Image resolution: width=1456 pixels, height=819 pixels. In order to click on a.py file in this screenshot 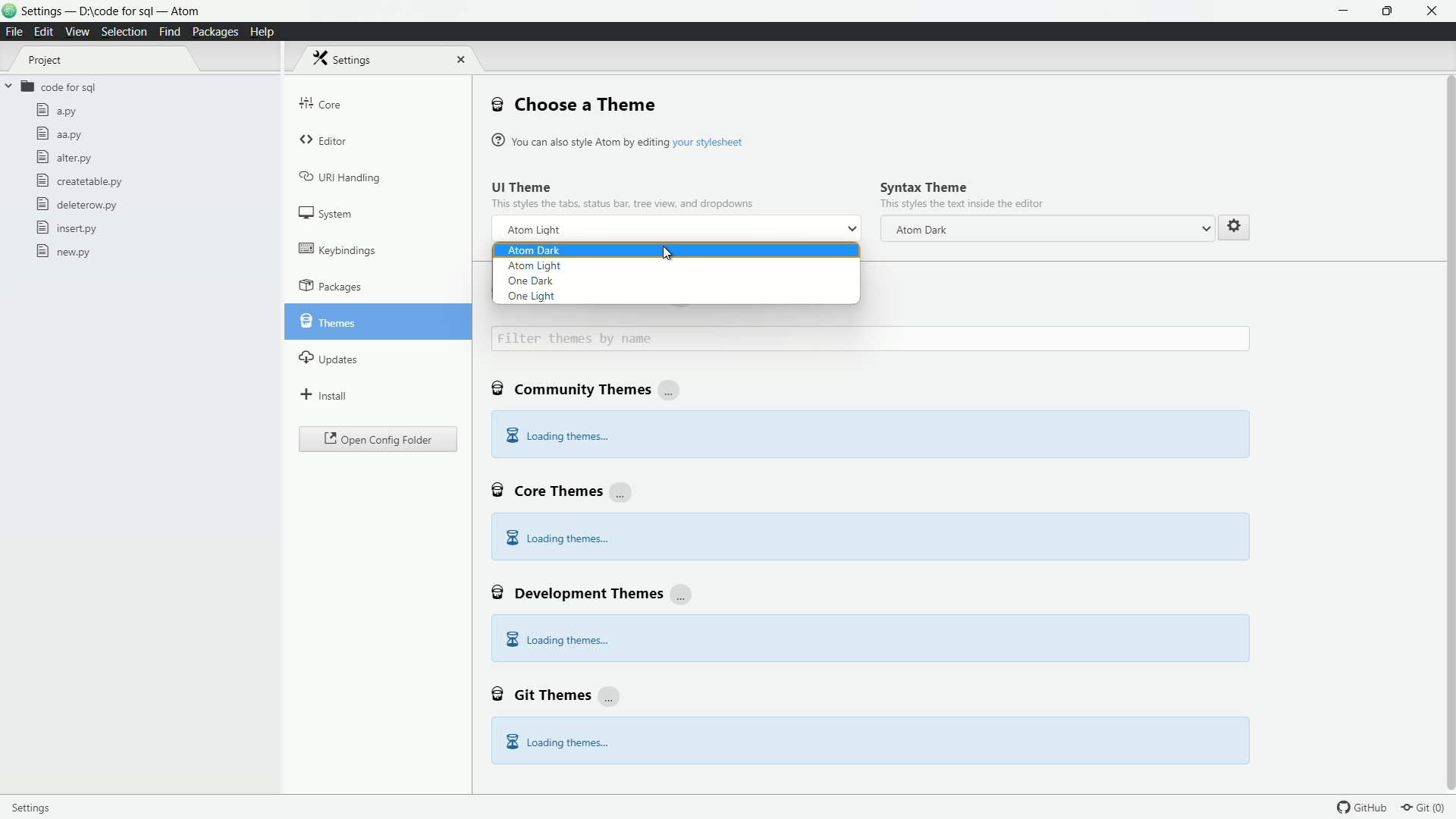, I will do `click(57, 110)`.